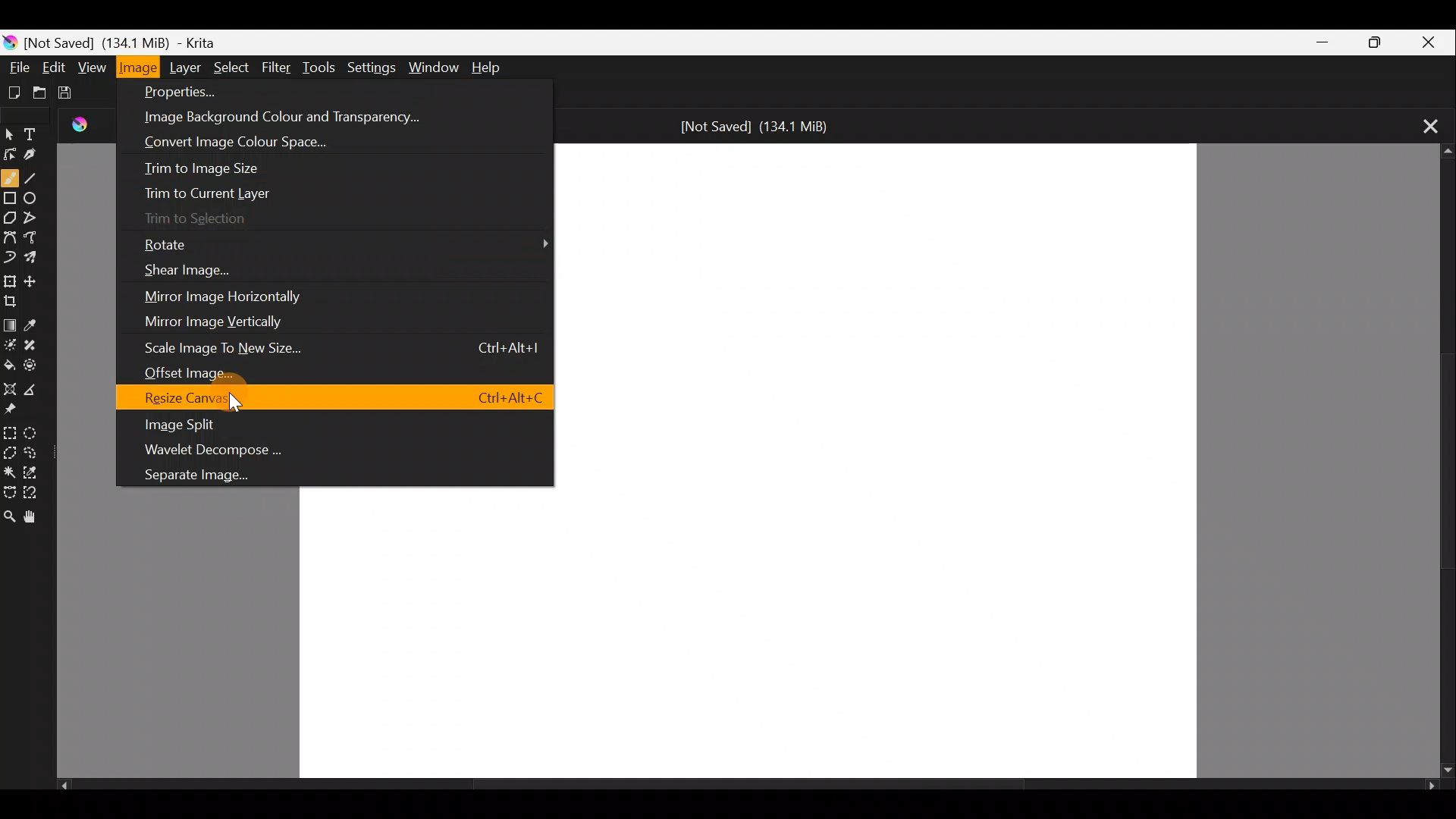 The width and height of the screenshot is (1456, 819). I want to click on Krita Logo, so click(86, 124).